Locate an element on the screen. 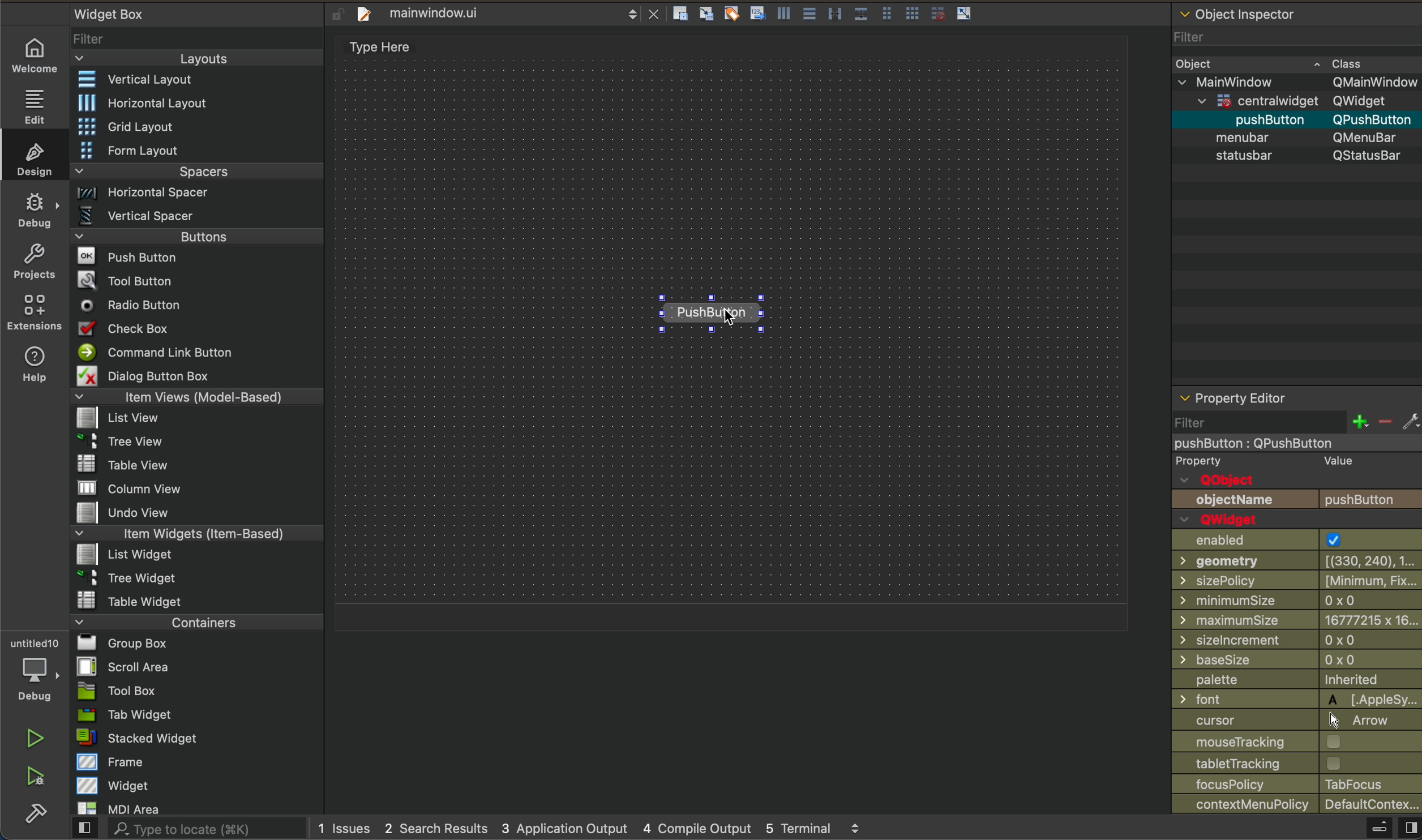 This screenshot has width=1422, height=840. Push button is located at coordinates (700, 314).